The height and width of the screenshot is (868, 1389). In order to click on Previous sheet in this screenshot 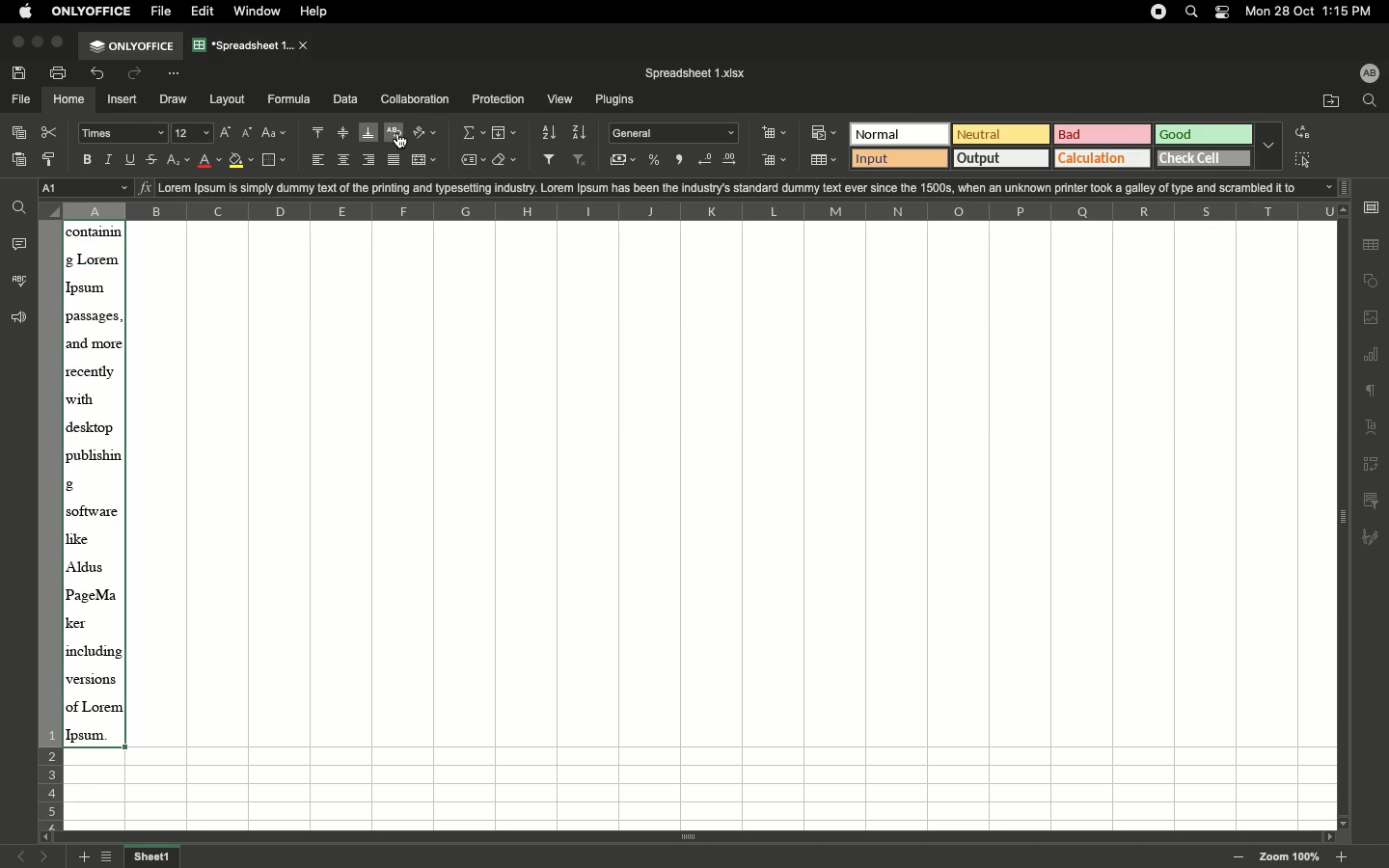, I will do `click(20, 855)`.